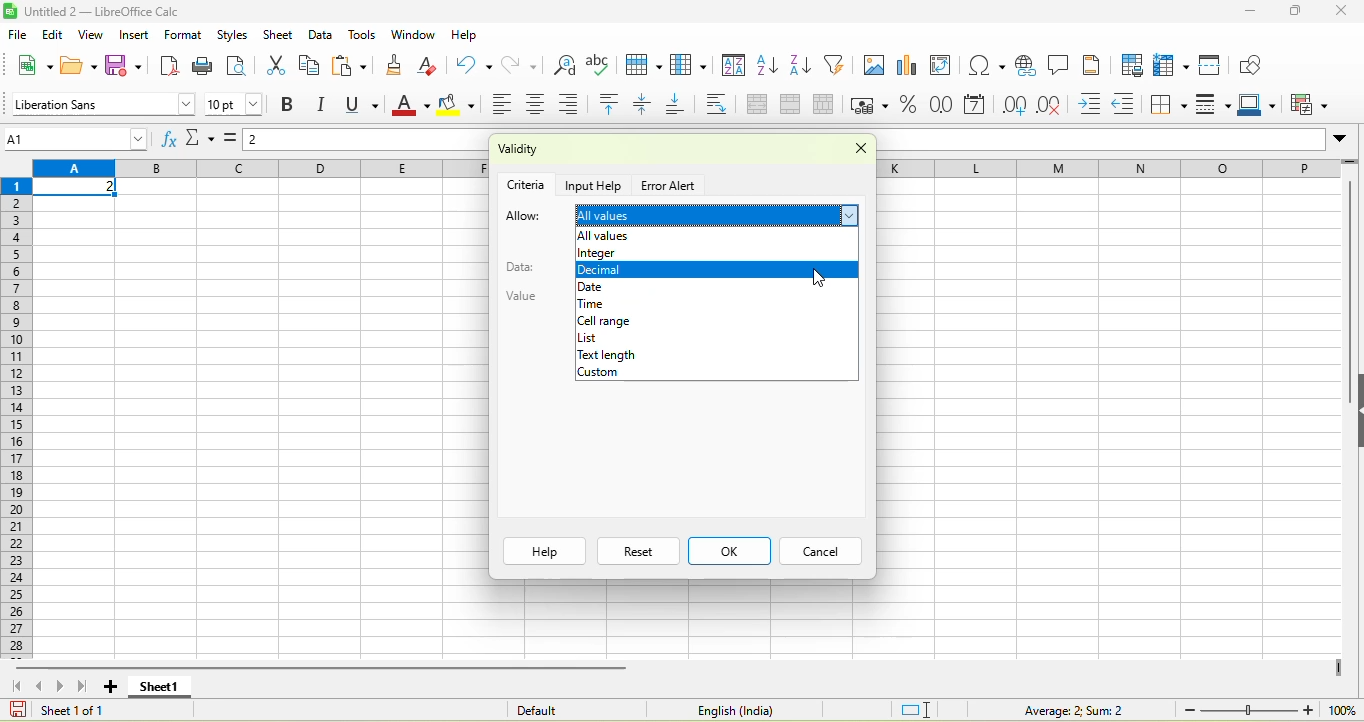 The height and width of the screenshot is (722, 1364). Describe the element at coordinates (366, 105) in the screenshot. I see `underline` at that location.